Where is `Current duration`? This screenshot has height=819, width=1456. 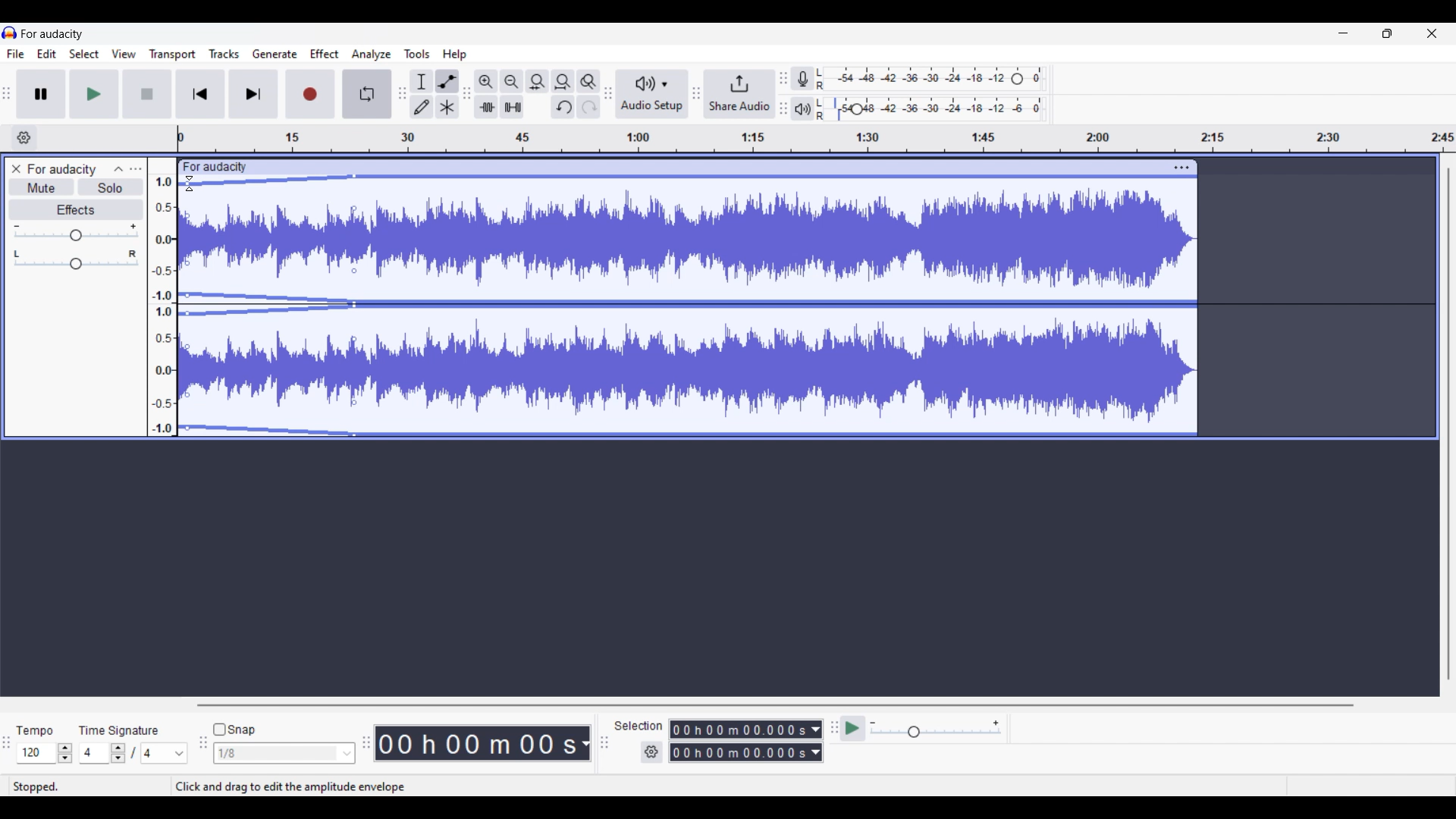
Current duration is located at coordinates (475, 743).